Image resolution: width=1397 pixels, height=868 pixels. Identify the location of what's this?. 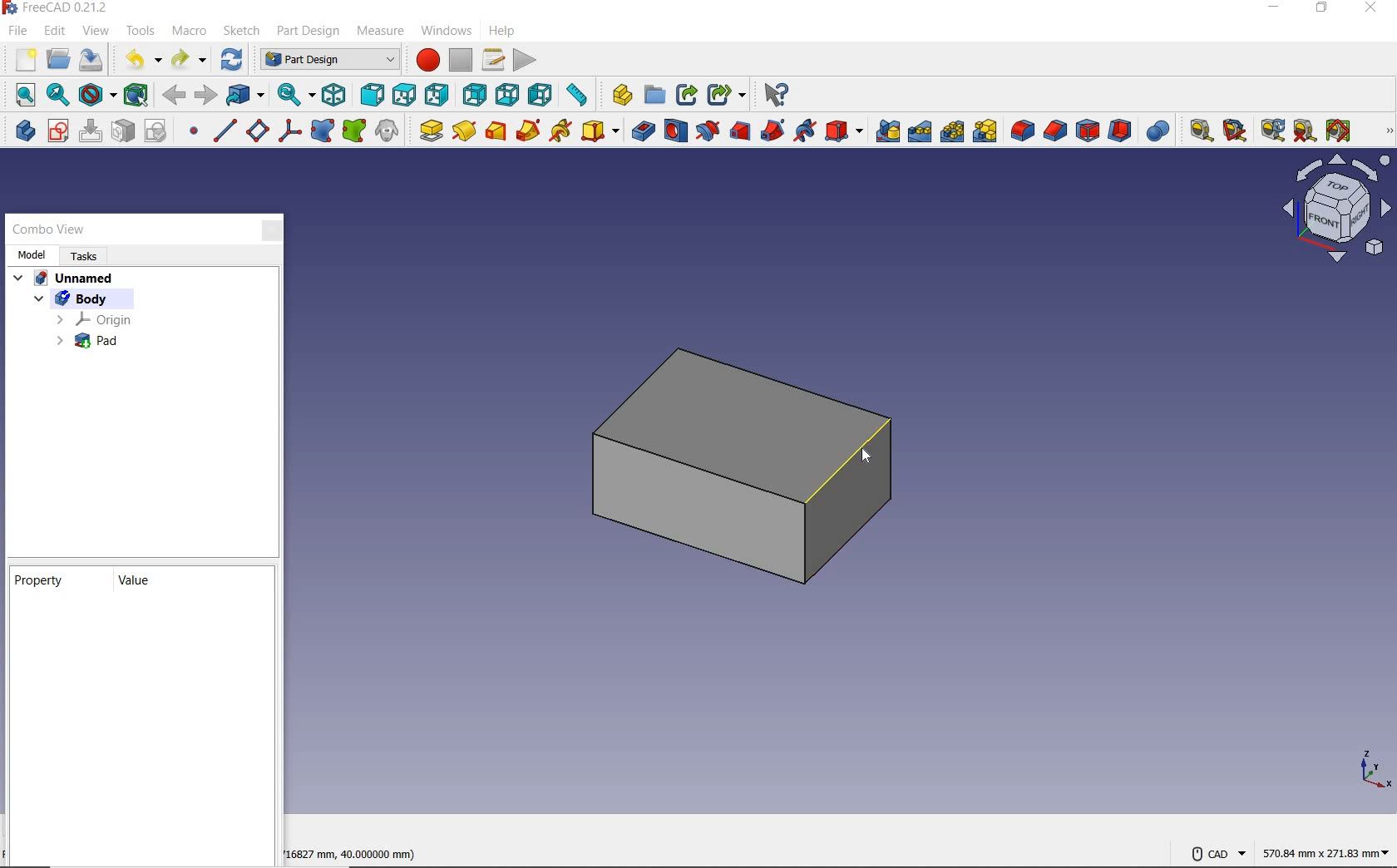
(777, 94).